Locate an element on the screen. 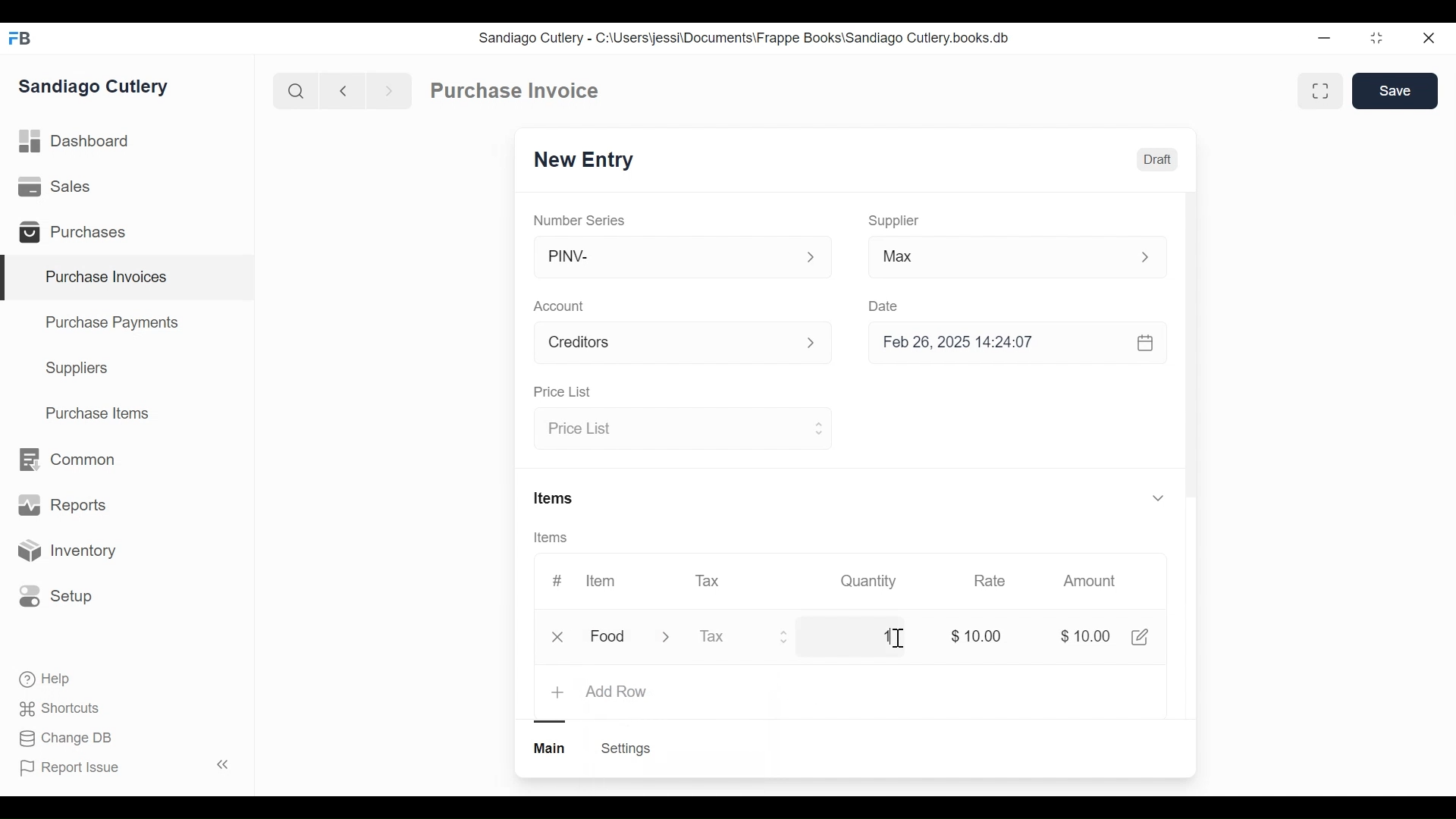 This screenshot has width=1456, height=819. Cursor is located at coordinates (897, 639).